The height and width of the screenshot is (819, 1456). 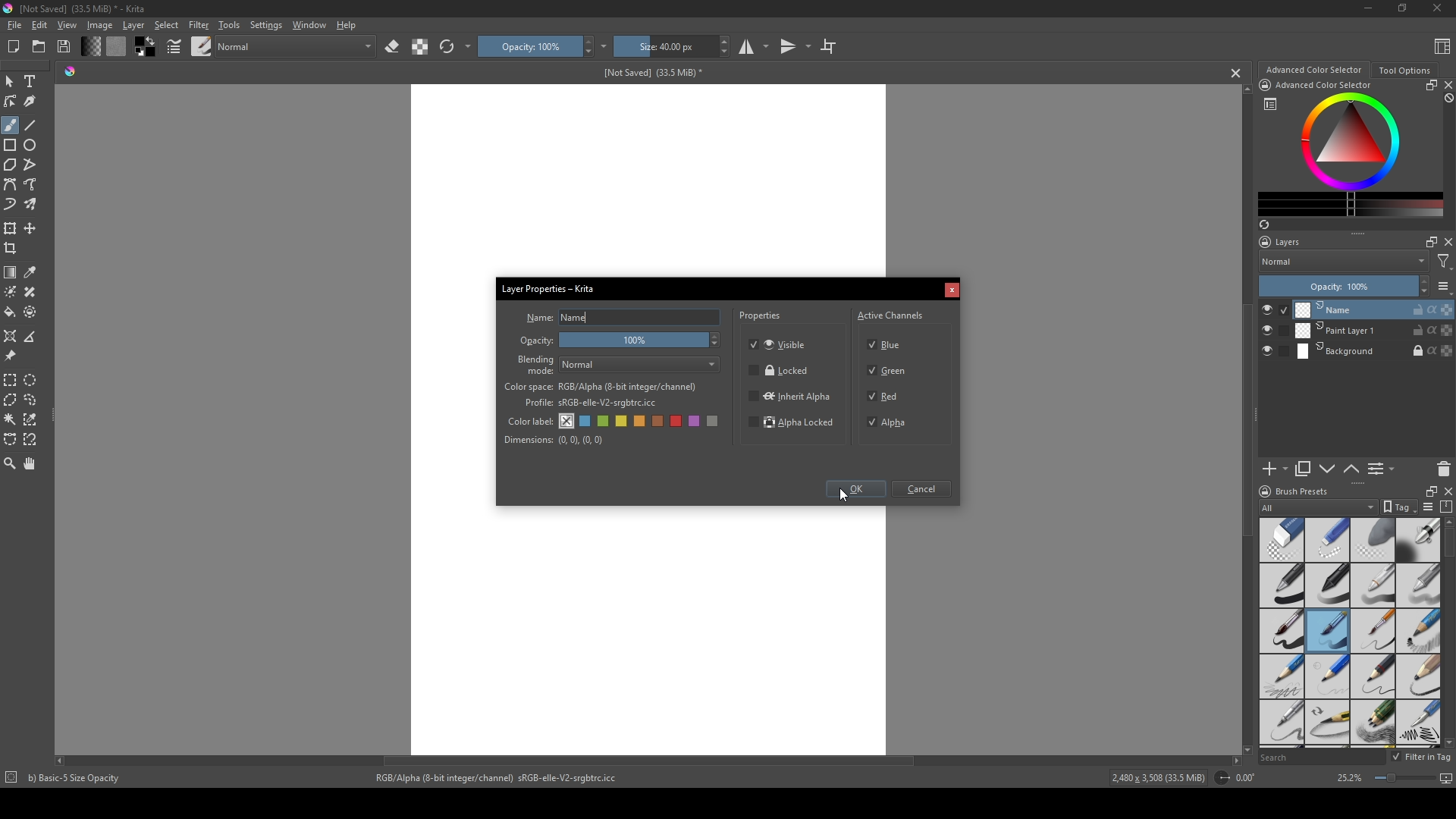 I want to click on Alpha Locked, so click(x=792, y=424).